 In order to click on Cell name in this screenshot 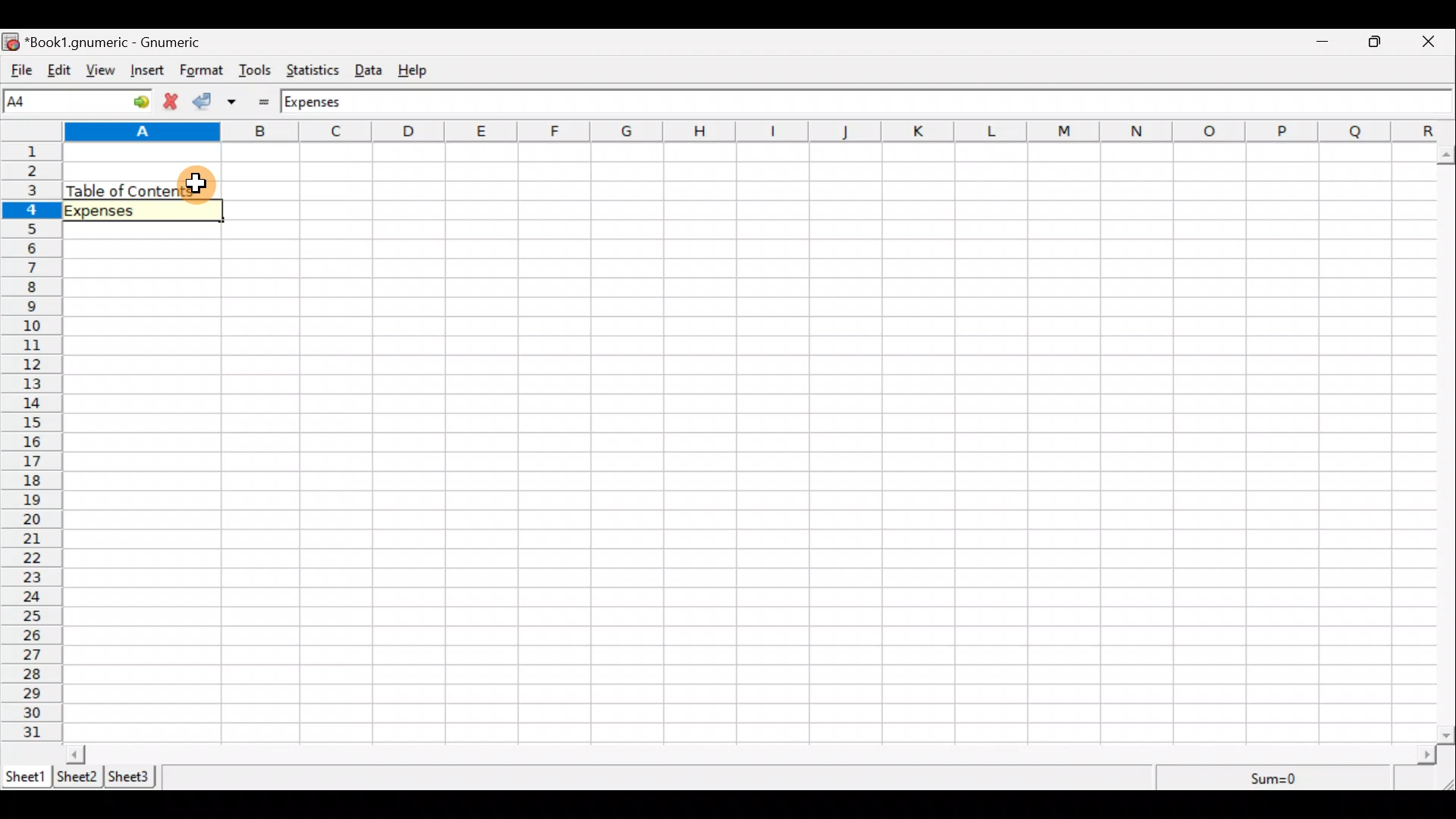, I will do `click(78, 101)`.